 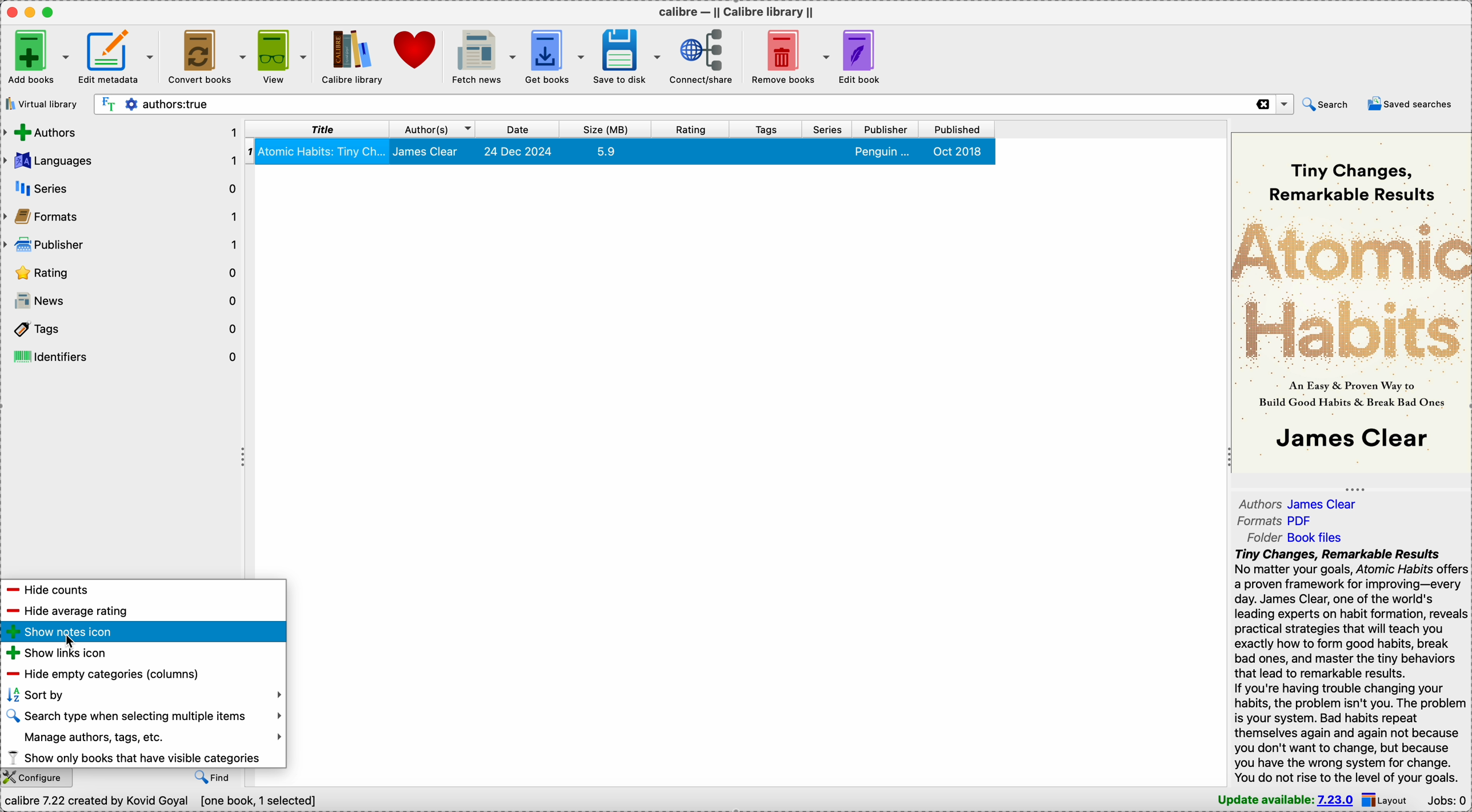 What do you see at coordinates (51, 11) in the screenshot?
I see `maximize Calibre` at bounding box center [51, 11].